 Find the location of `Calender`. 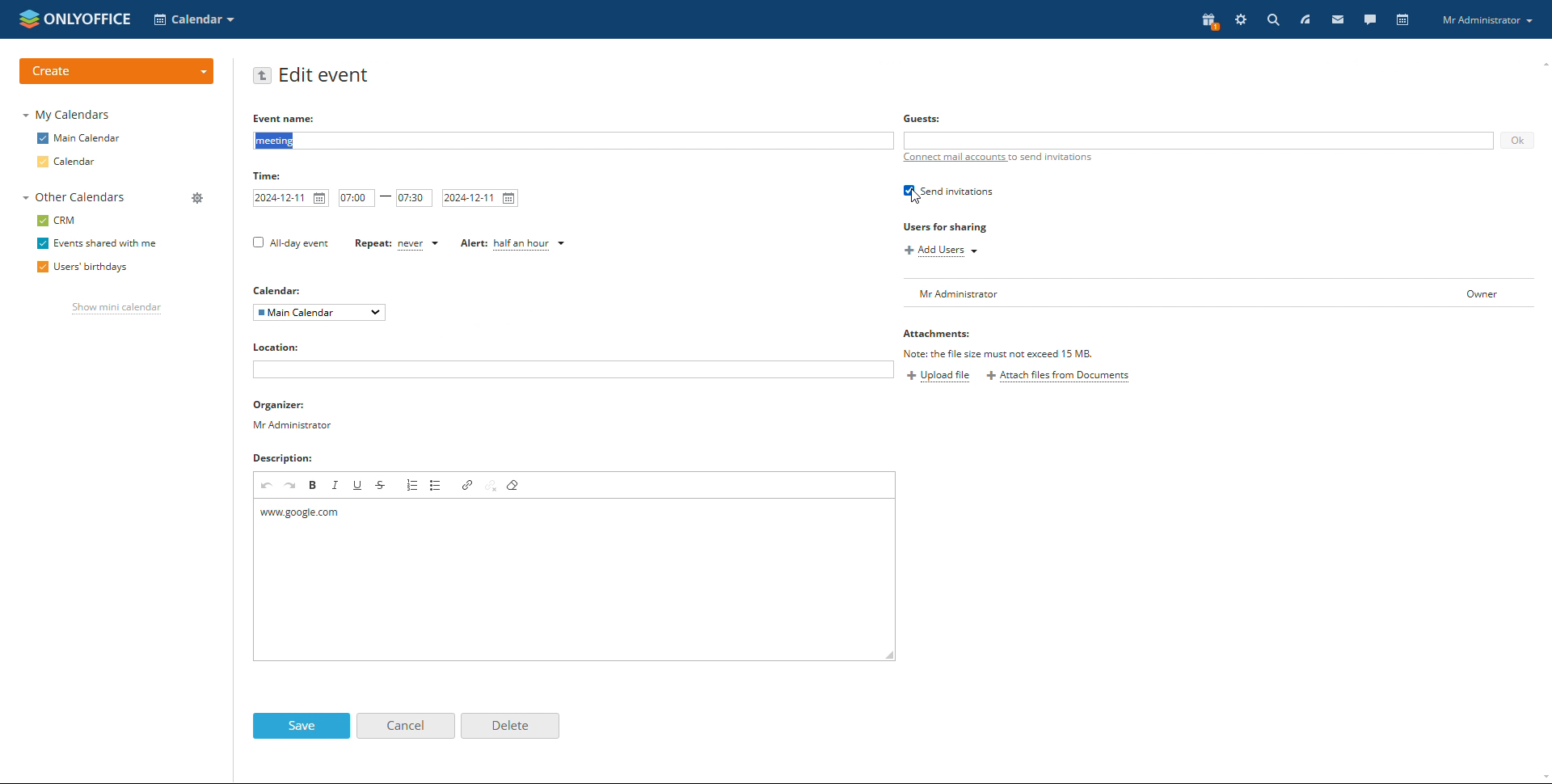

Calender is located at coordinates (278, 289).